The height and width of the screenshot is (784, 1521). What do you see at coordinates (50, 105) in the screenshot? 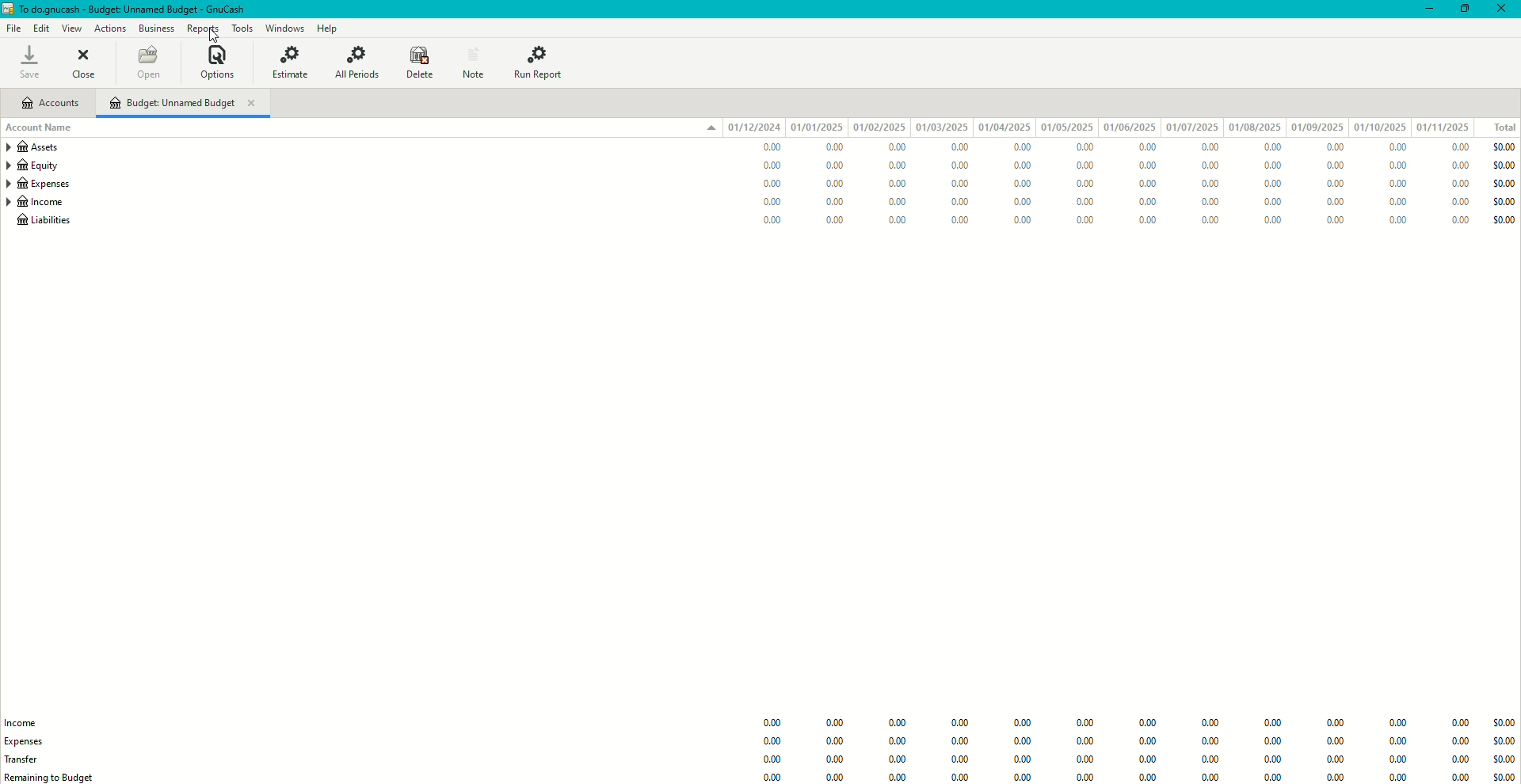
I see `Accounts` at bounding box center [50, 105].